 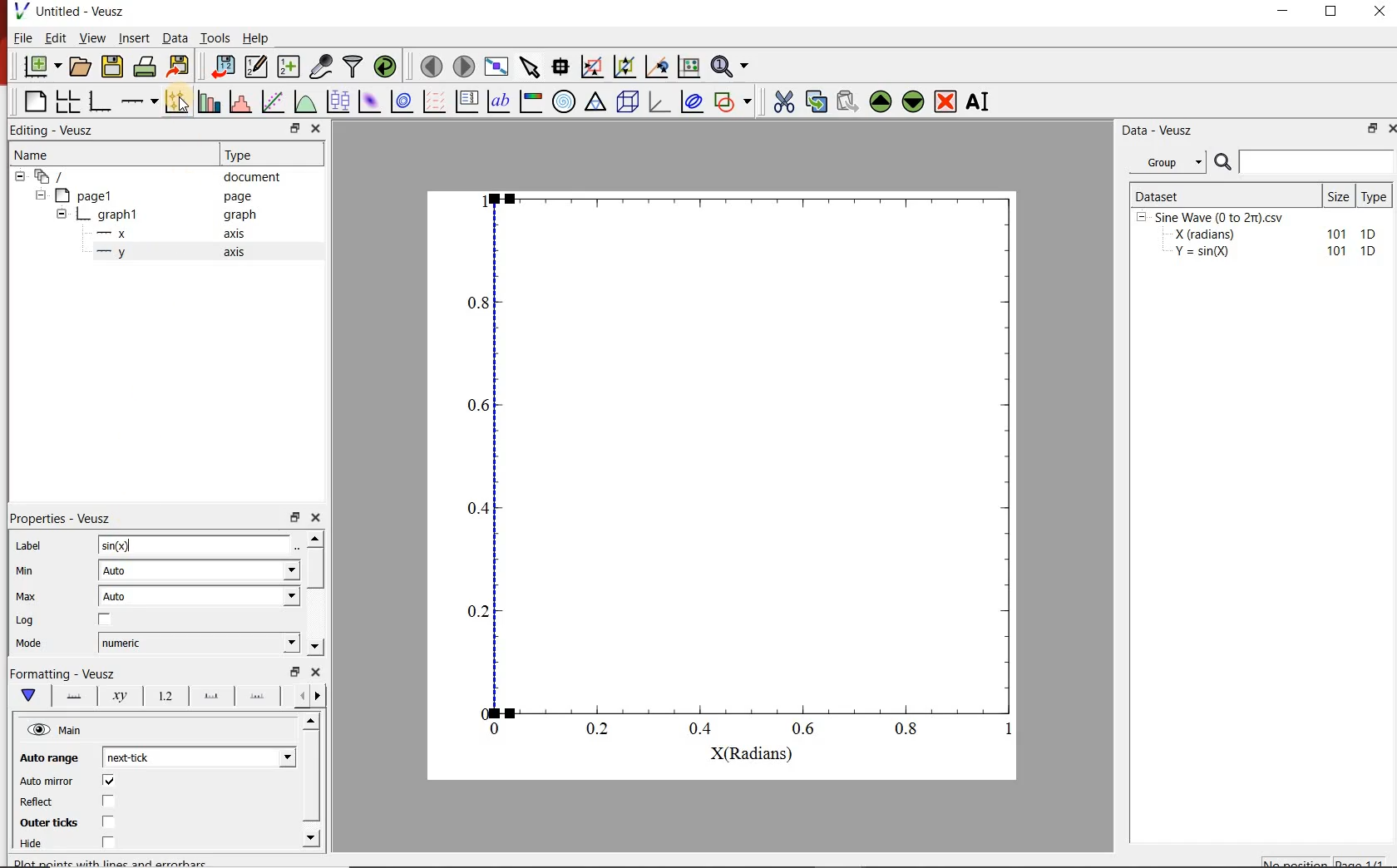 What do you see at coordinates (736, 101) in the screenshot?
I see `add a shape to the plot` at bounding box center [736, 101].